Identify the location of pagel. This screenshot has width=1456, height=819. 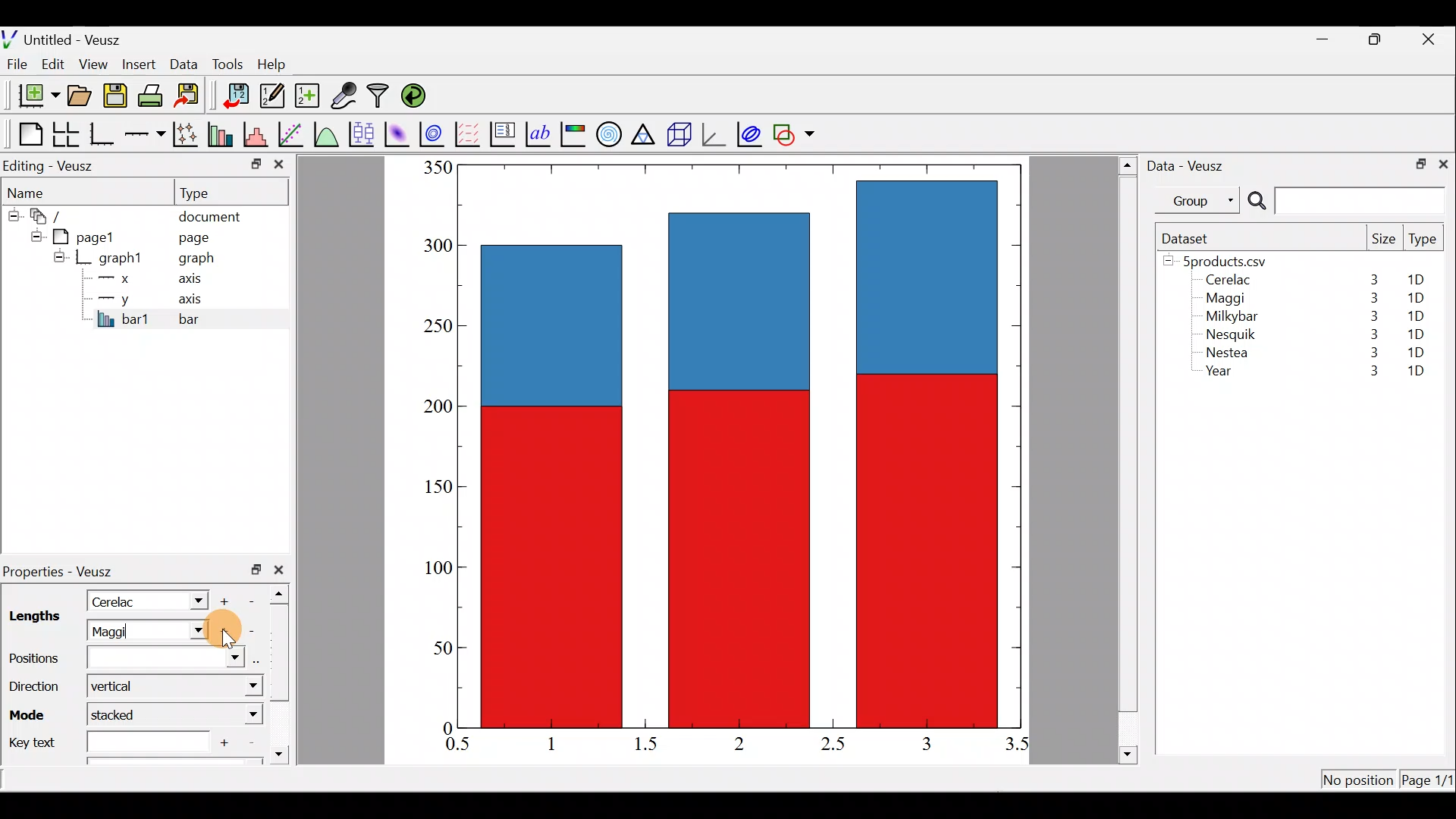
(90, 235).